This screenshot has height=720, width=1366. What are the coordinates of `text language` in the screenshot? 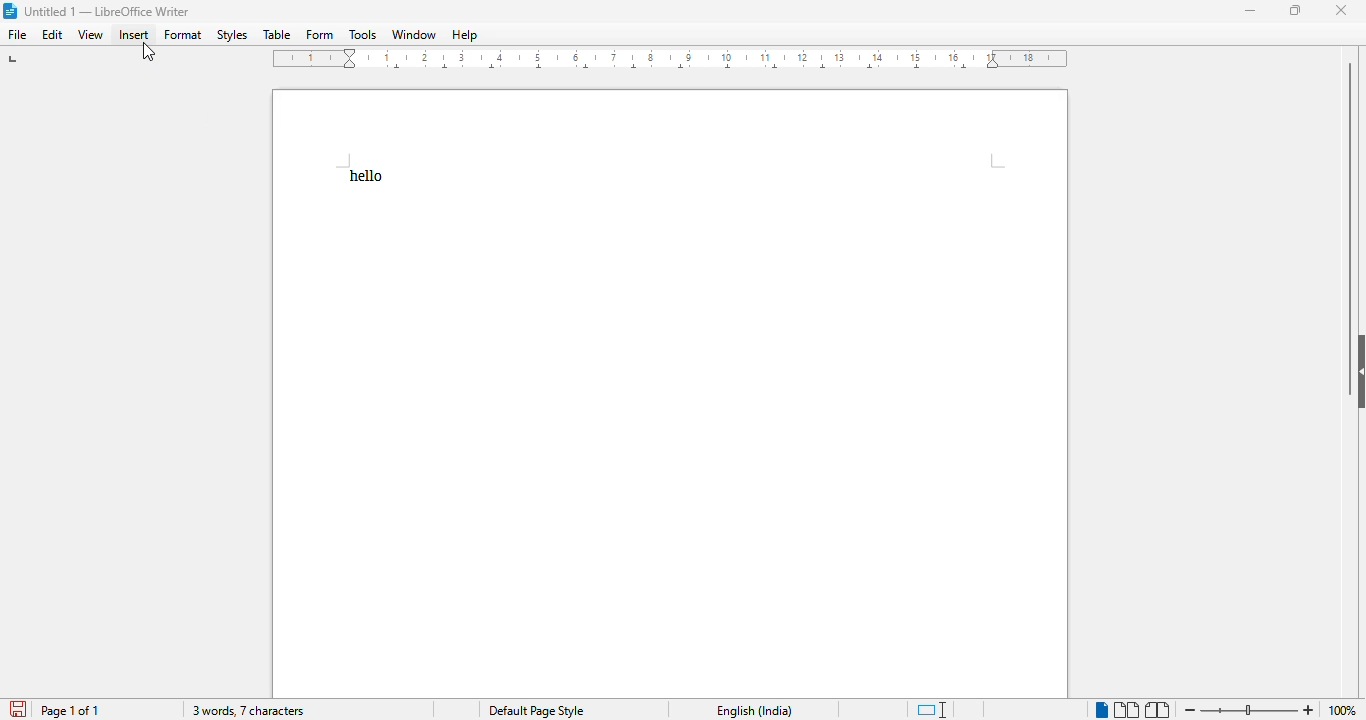 It's located at (755, 711).